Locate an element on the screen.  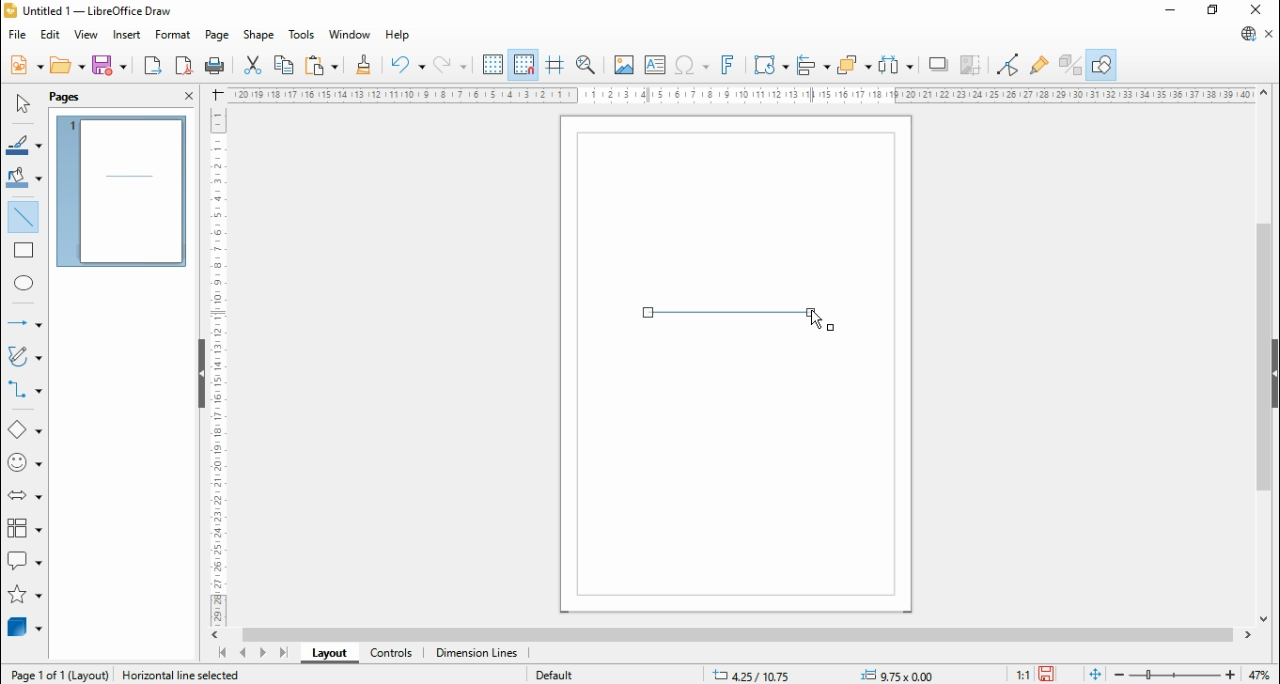
libreoffice update is located at coordinates (1247, 34).